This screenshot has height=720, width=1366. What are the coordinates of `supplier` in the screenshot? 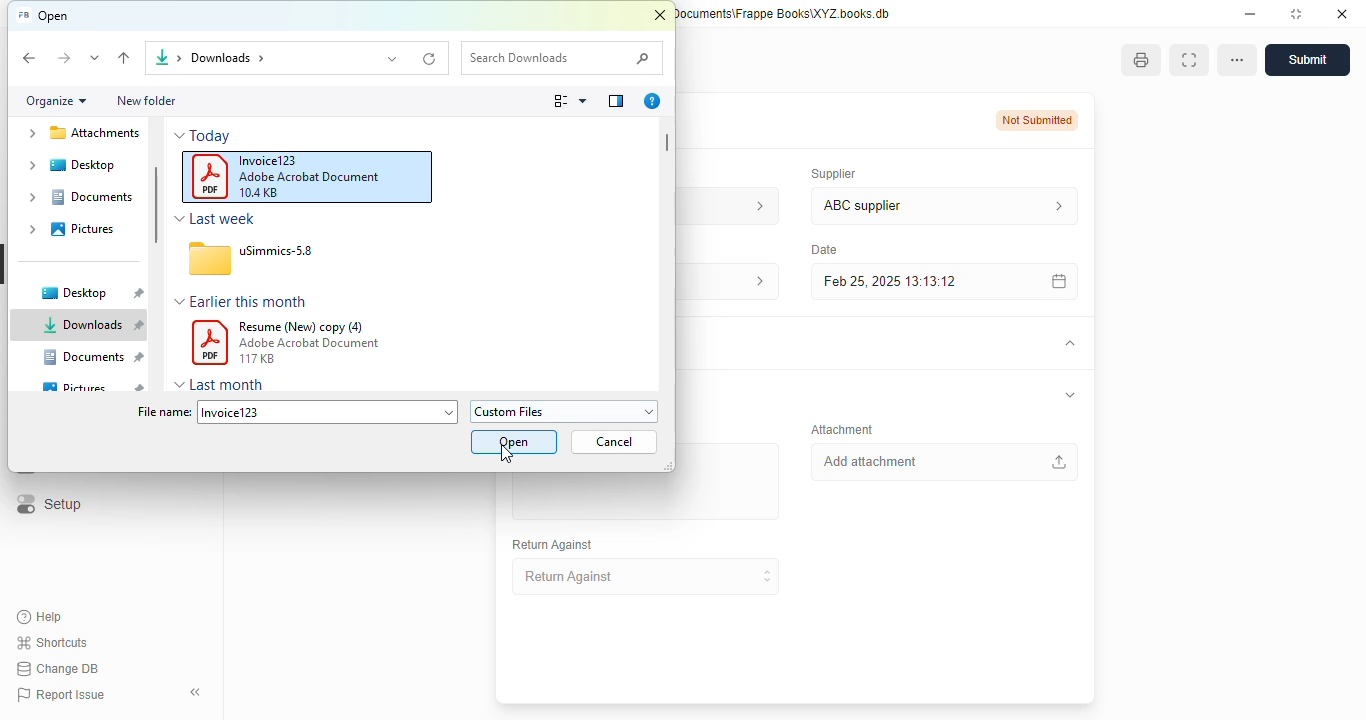 It's located at (829, 173).